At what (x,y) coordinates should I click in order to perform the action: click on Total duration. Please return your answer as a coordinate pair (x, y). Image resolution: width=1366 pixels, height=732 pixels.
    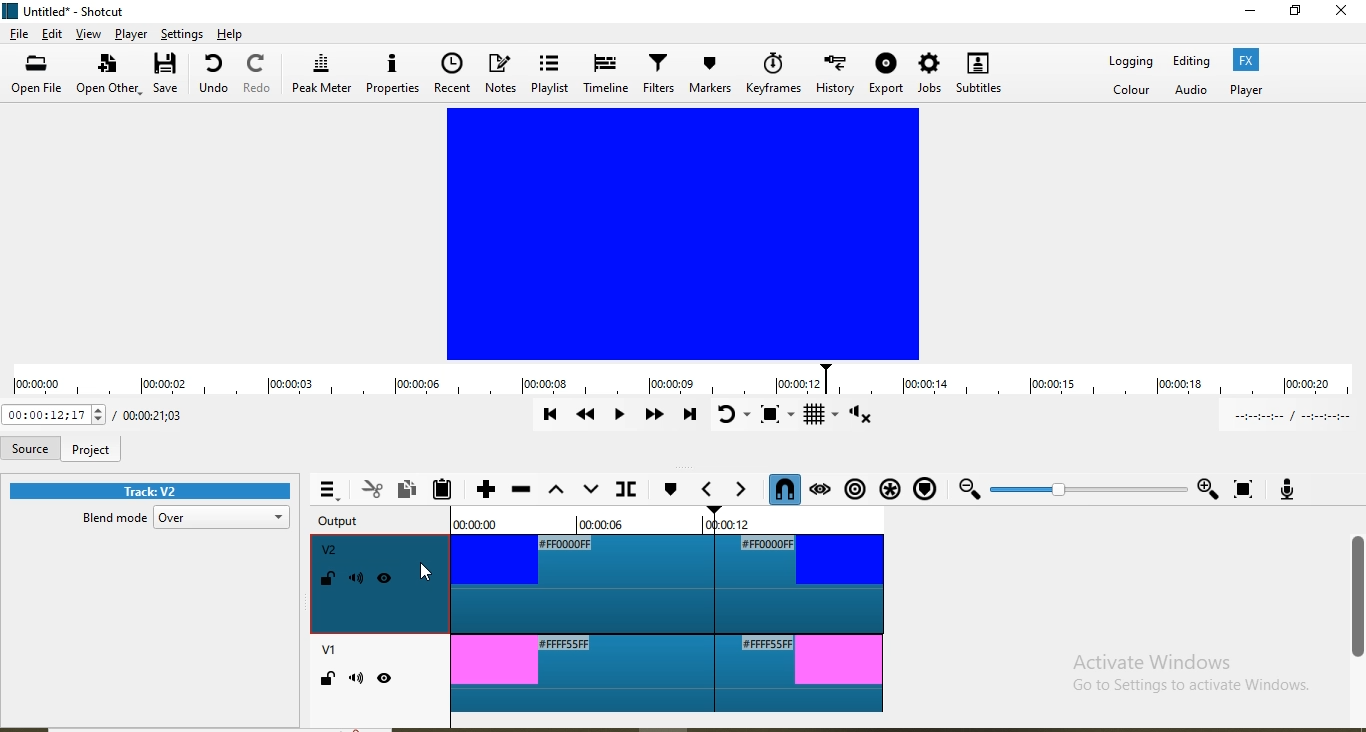
    Looking at the image, I should click on (153, 414).